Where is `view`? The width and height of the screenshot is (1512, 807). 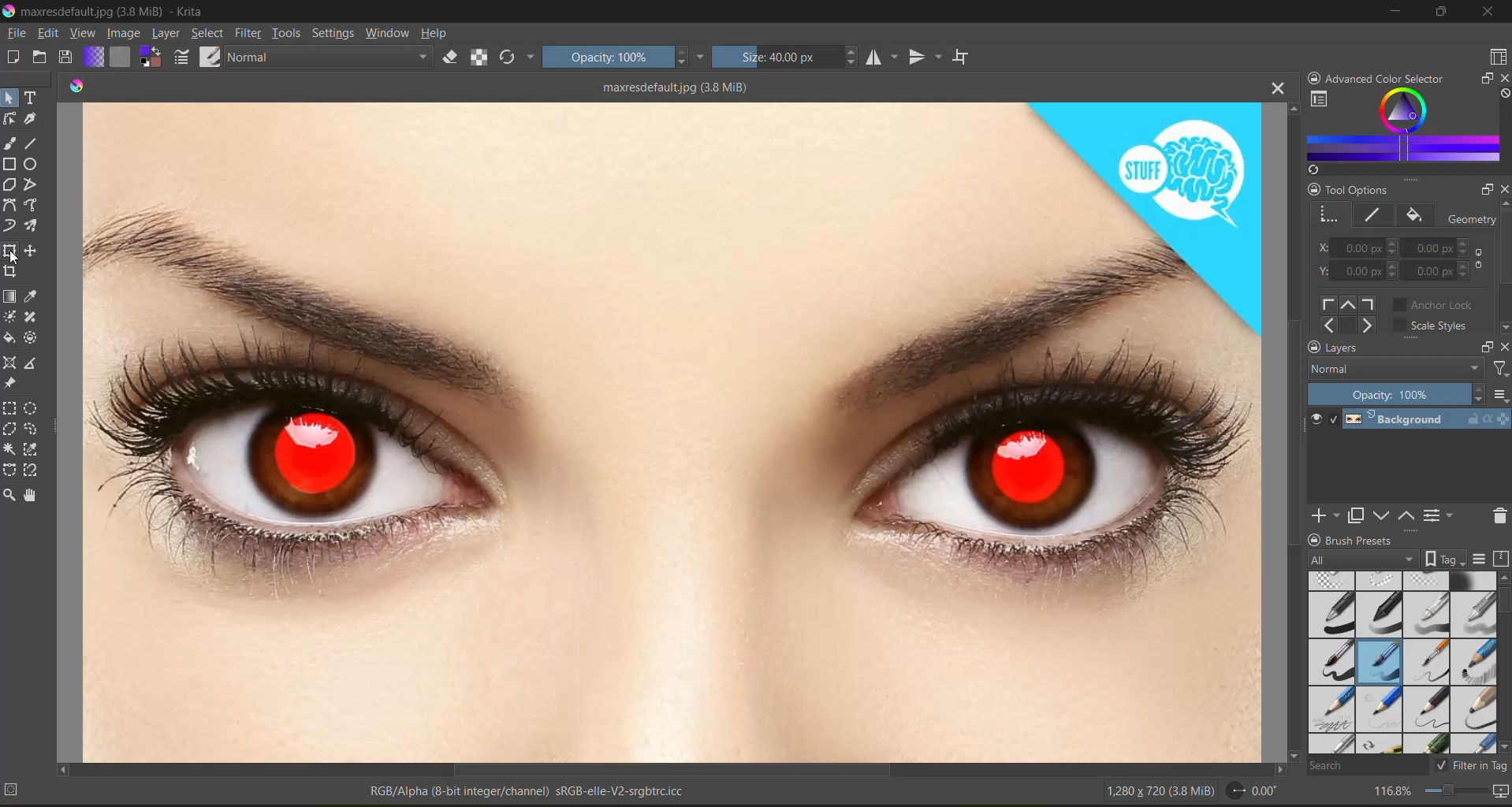 view is located at coordinates (82, 33).